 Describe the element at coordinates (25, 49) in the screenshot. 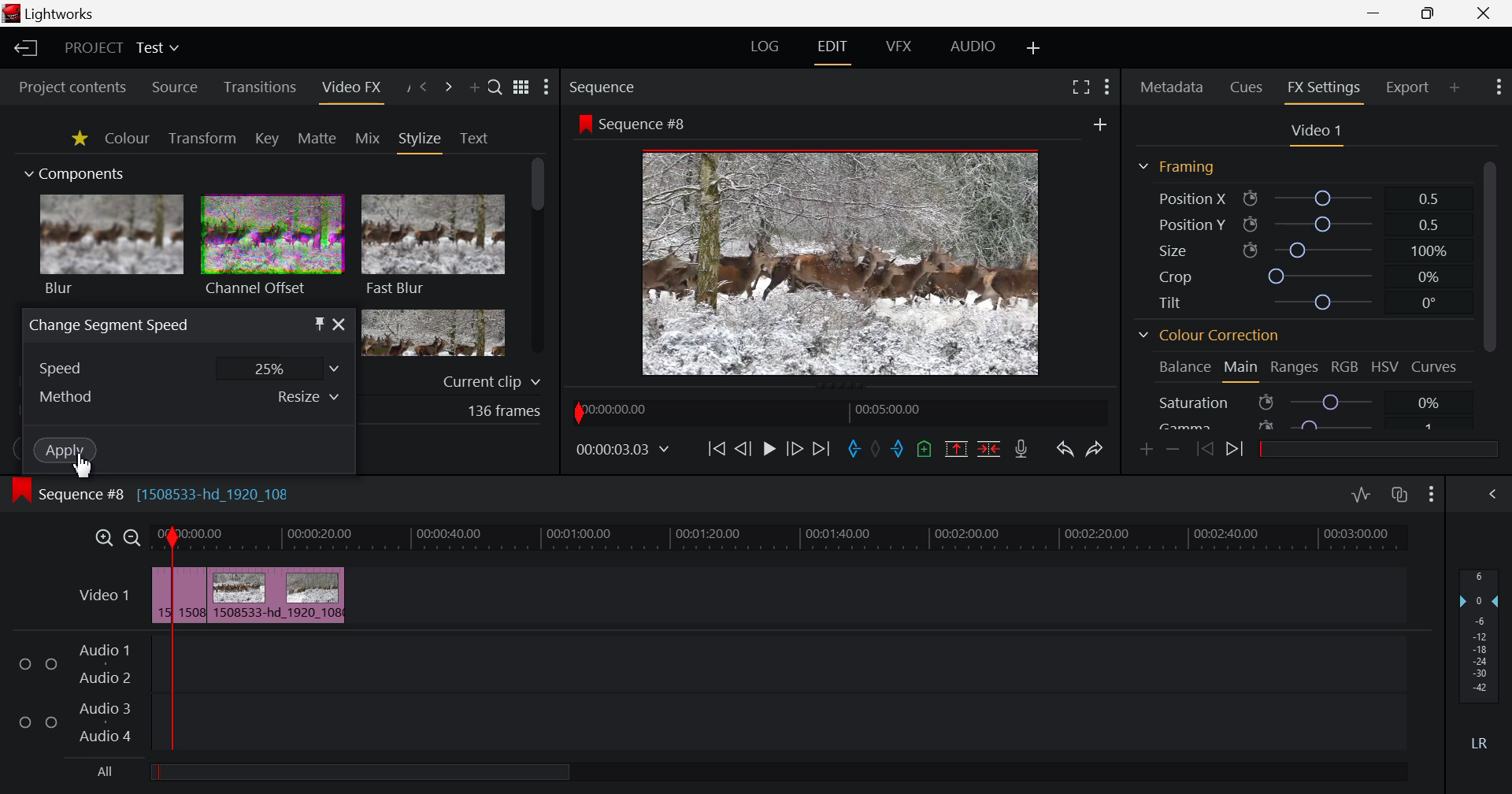

I see `Back to Homepage` at that location.